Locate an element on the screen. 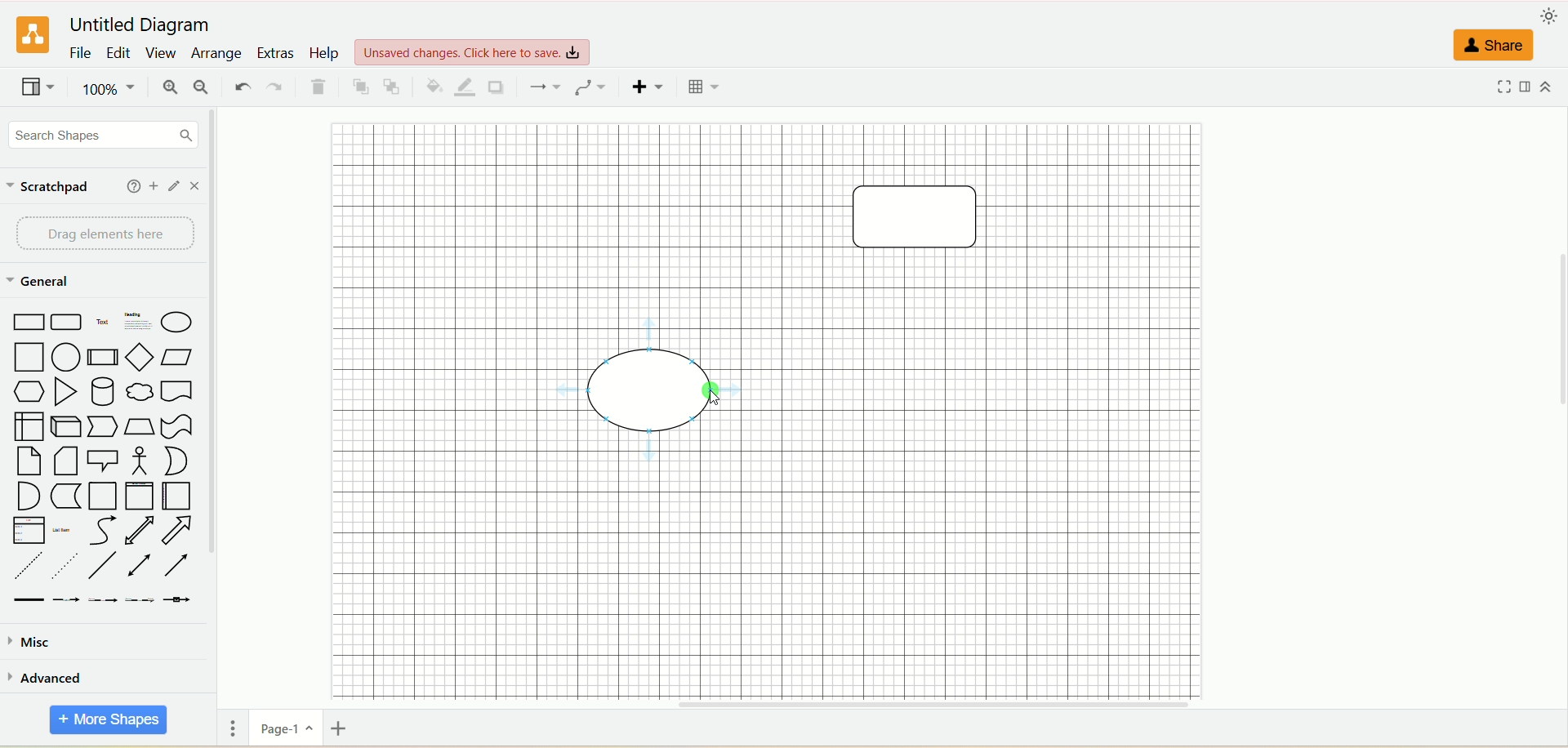 The image size is (1568, 748). horizontal scroll bar is located at coordinates (889, 705).